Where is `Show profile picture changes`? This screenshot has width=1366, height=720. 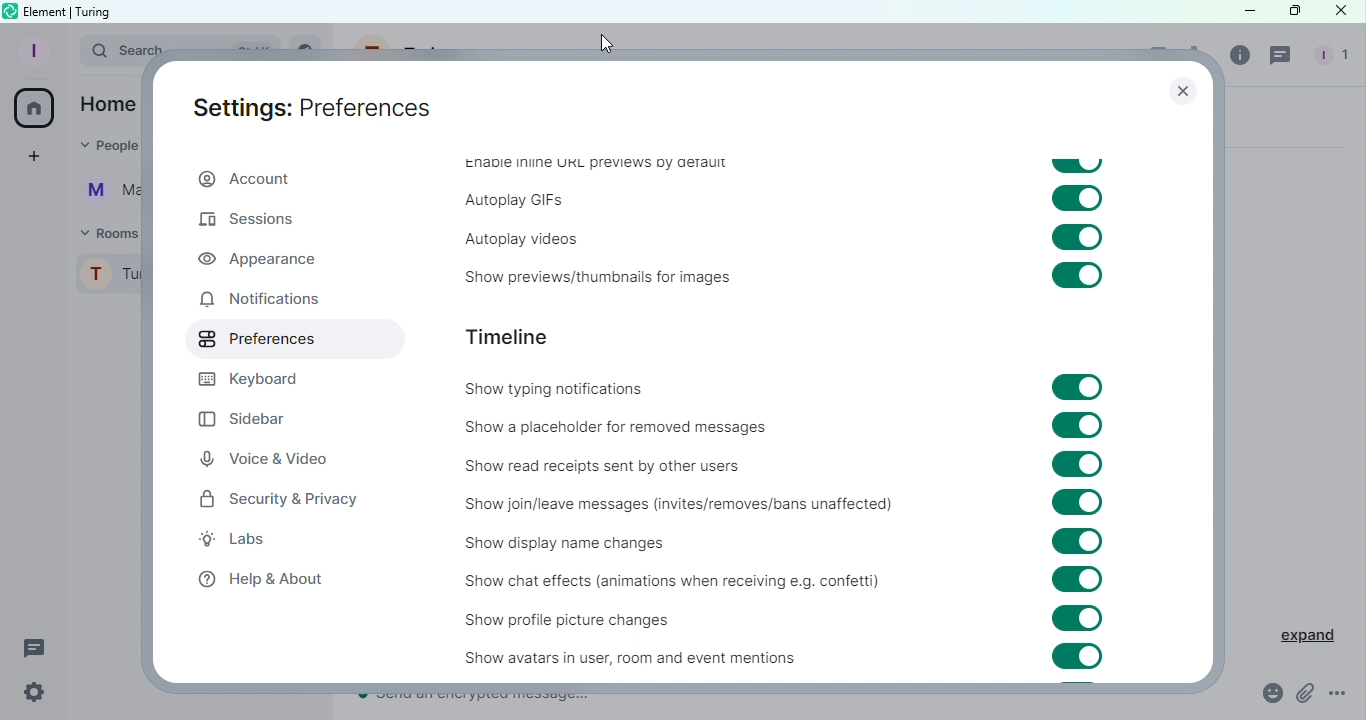
Show profile picture changes is located at coordinates (586, 619).